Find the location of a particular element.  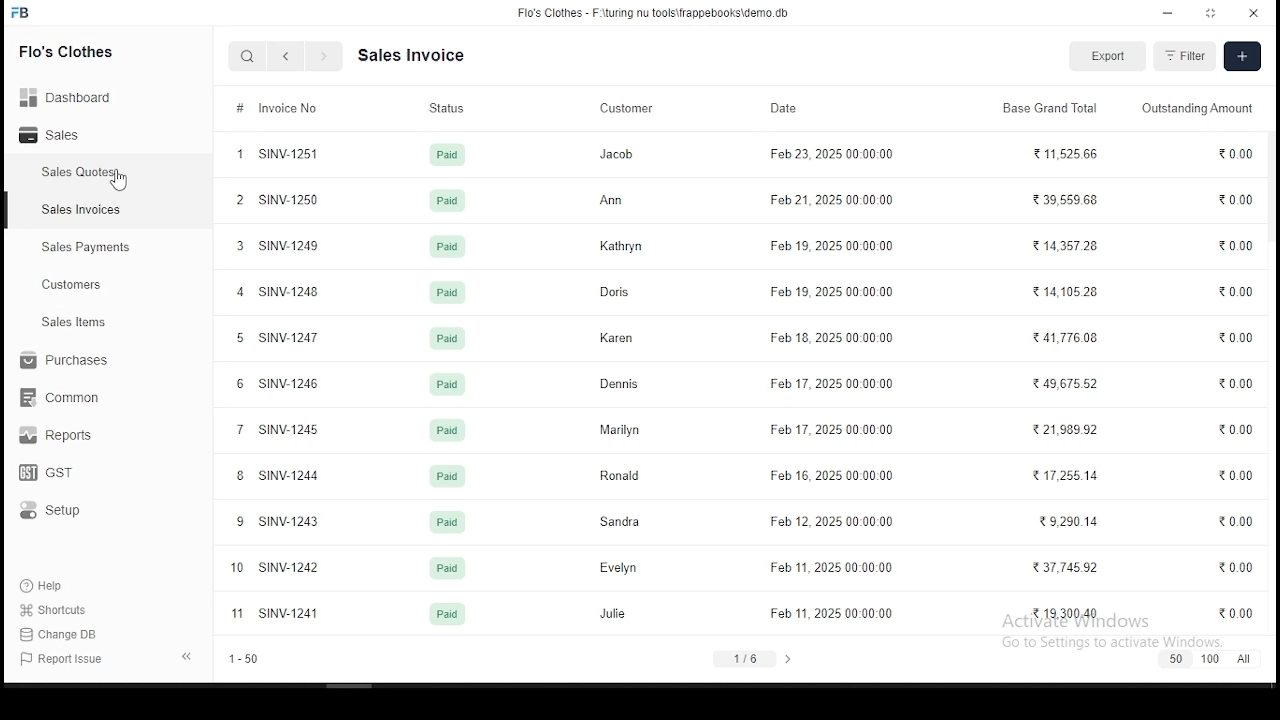

back is located at coordinates (283, 55).